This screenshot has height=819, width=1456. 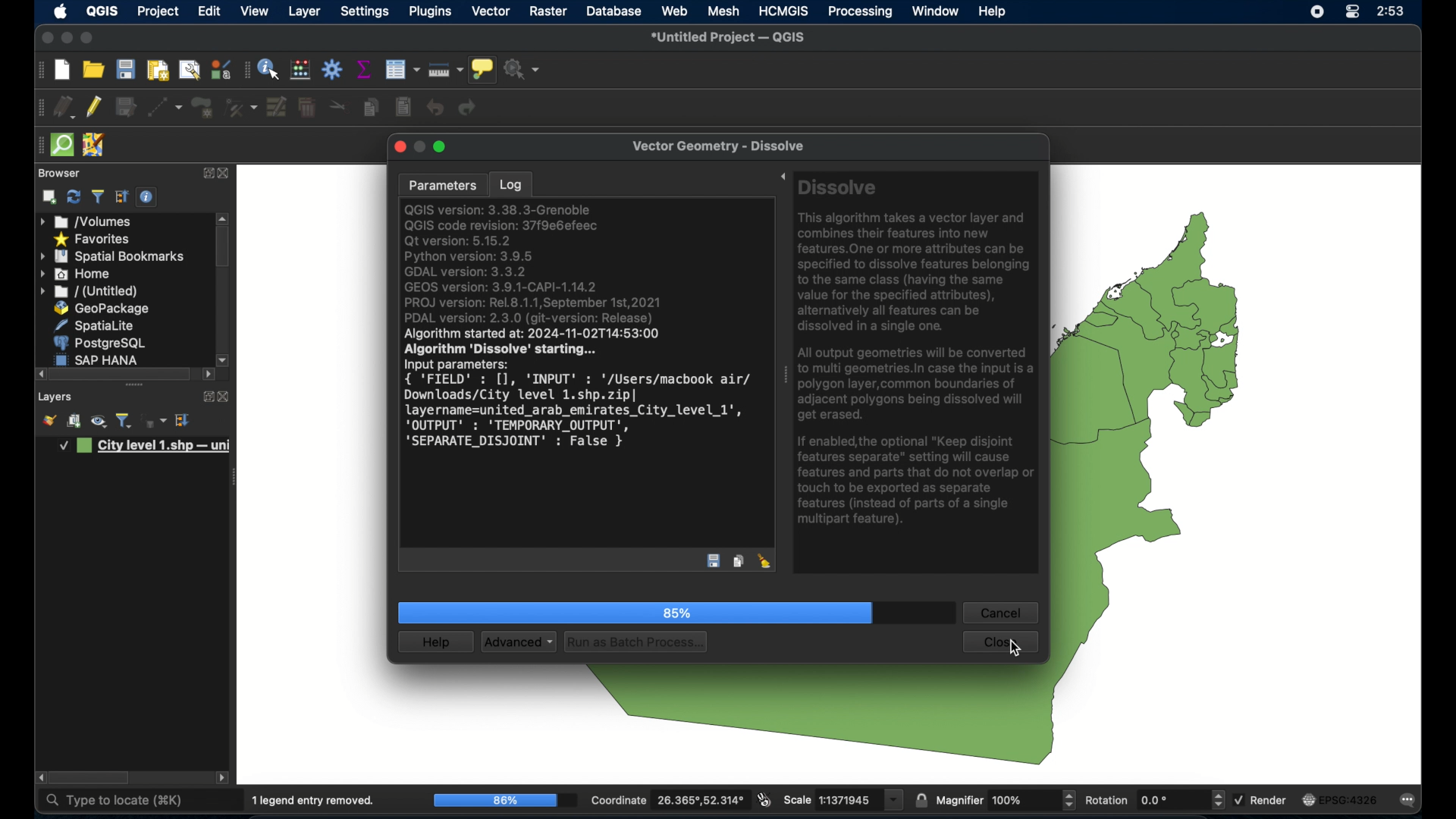 I want to click on scroll right arrow, so click(x=209, y=375).